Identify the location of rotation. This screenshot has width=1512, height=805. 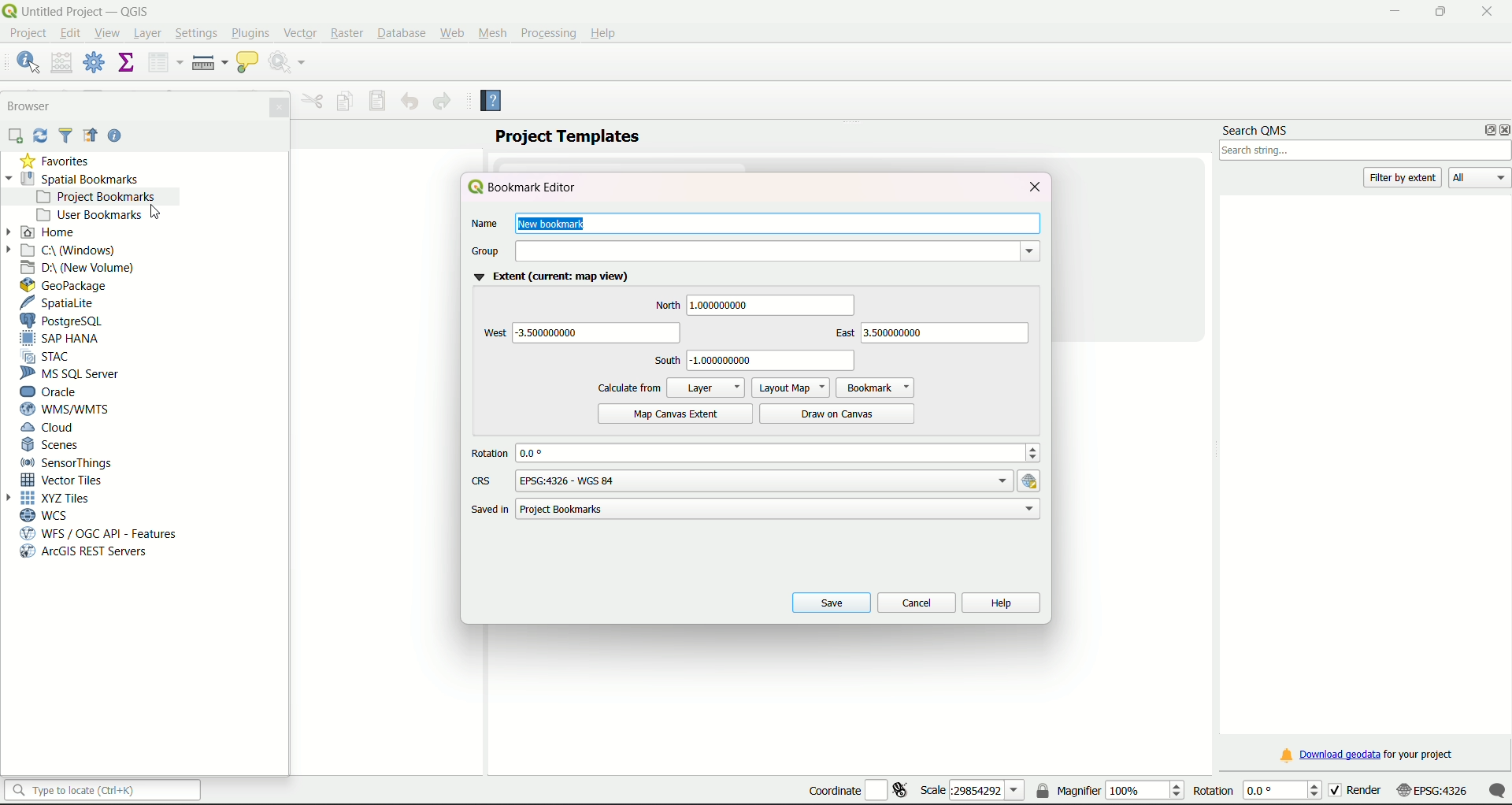
(1259, 790).